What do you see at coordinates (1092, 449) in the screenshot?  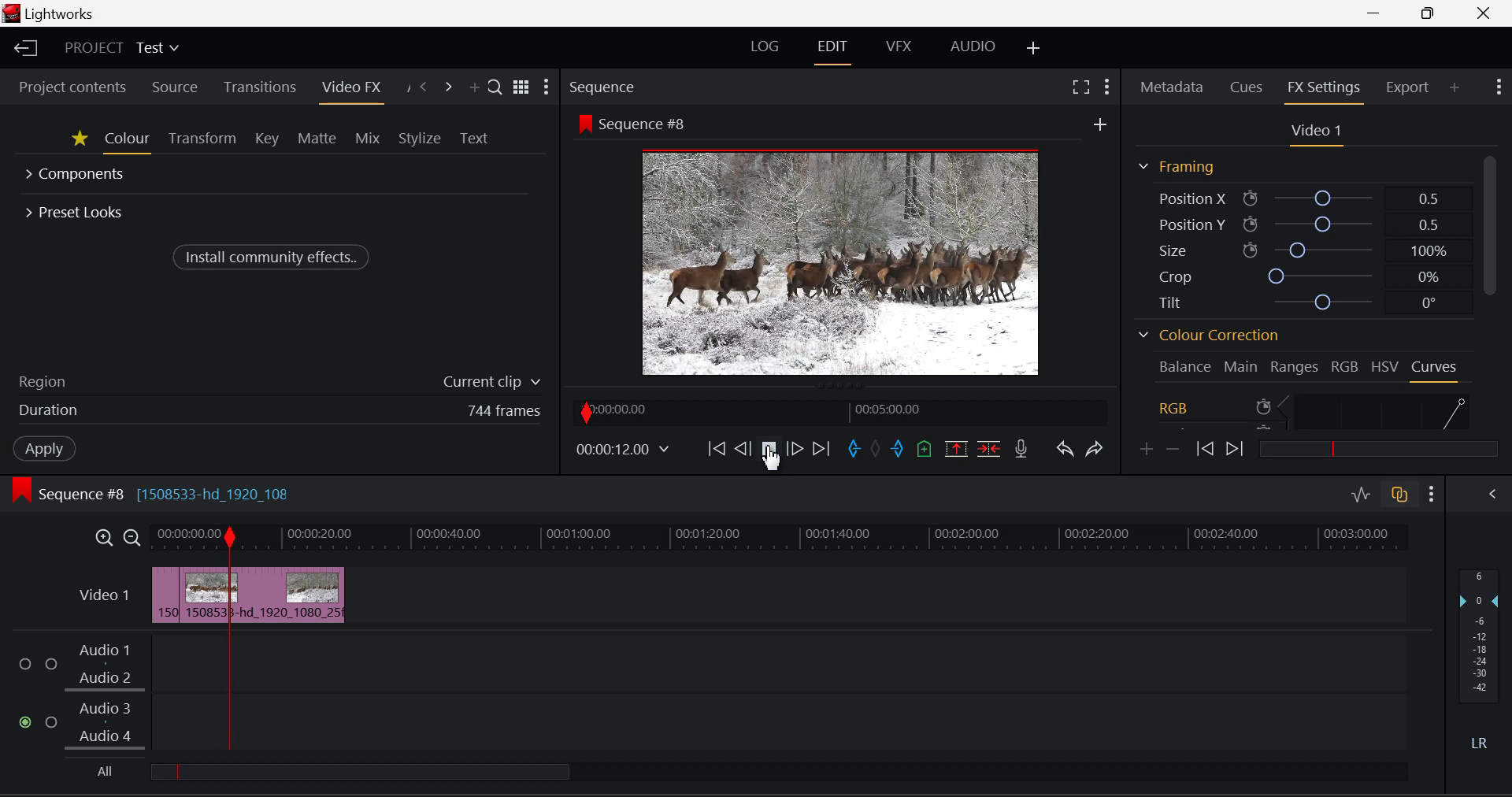 I see `Redo` at bounding box center [1092, 449].